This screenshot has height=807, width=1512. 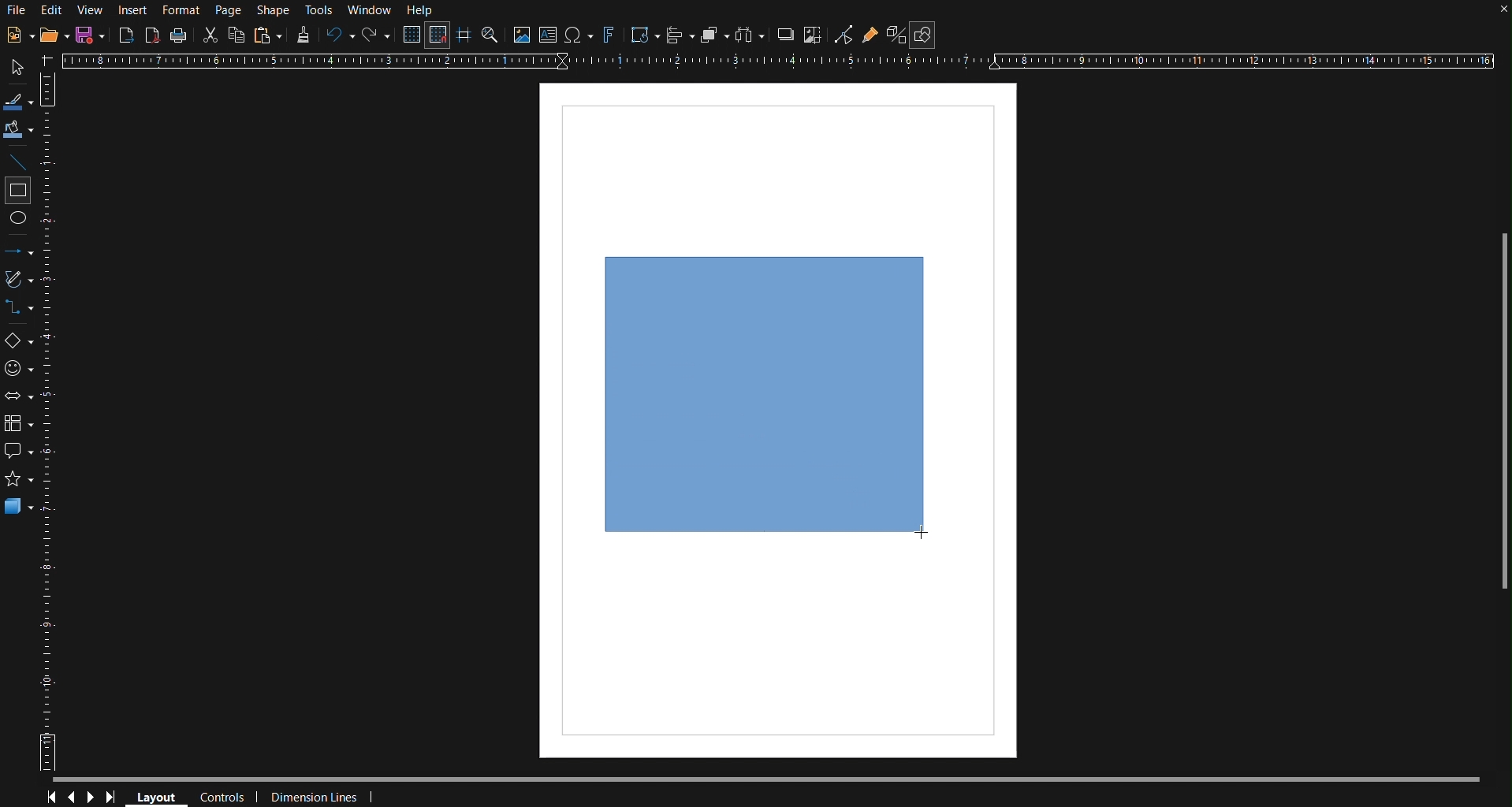 I want to click on Shadow, so click(x=784, y=34).